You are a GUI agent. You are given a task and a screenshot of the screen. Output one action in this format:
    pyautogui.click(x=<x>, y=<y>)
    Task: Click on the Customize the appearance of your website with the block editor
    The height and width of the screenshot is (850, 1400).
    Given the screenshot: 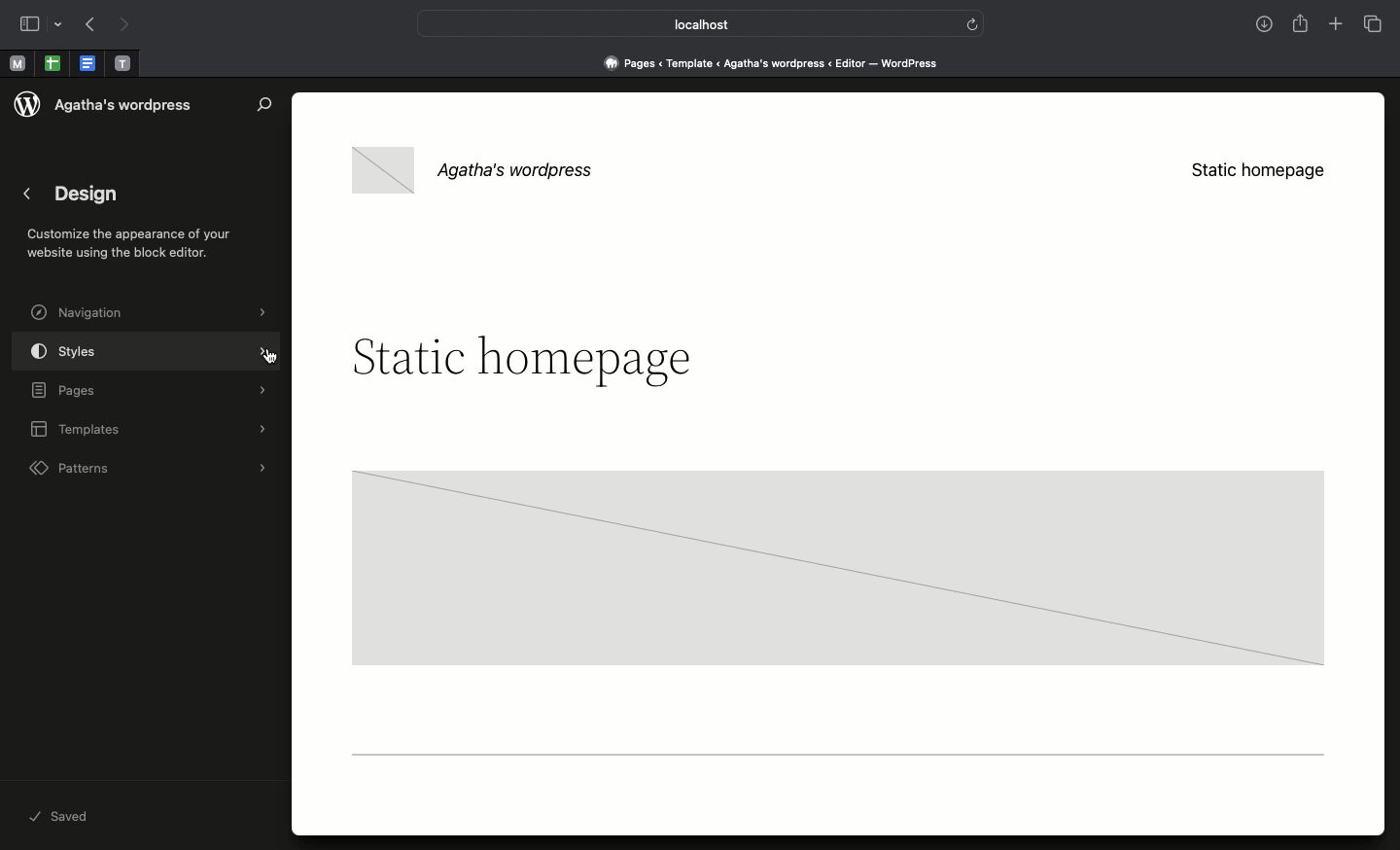 What is the action you would take?
    pyautogui.click(x=133, y=249)
    